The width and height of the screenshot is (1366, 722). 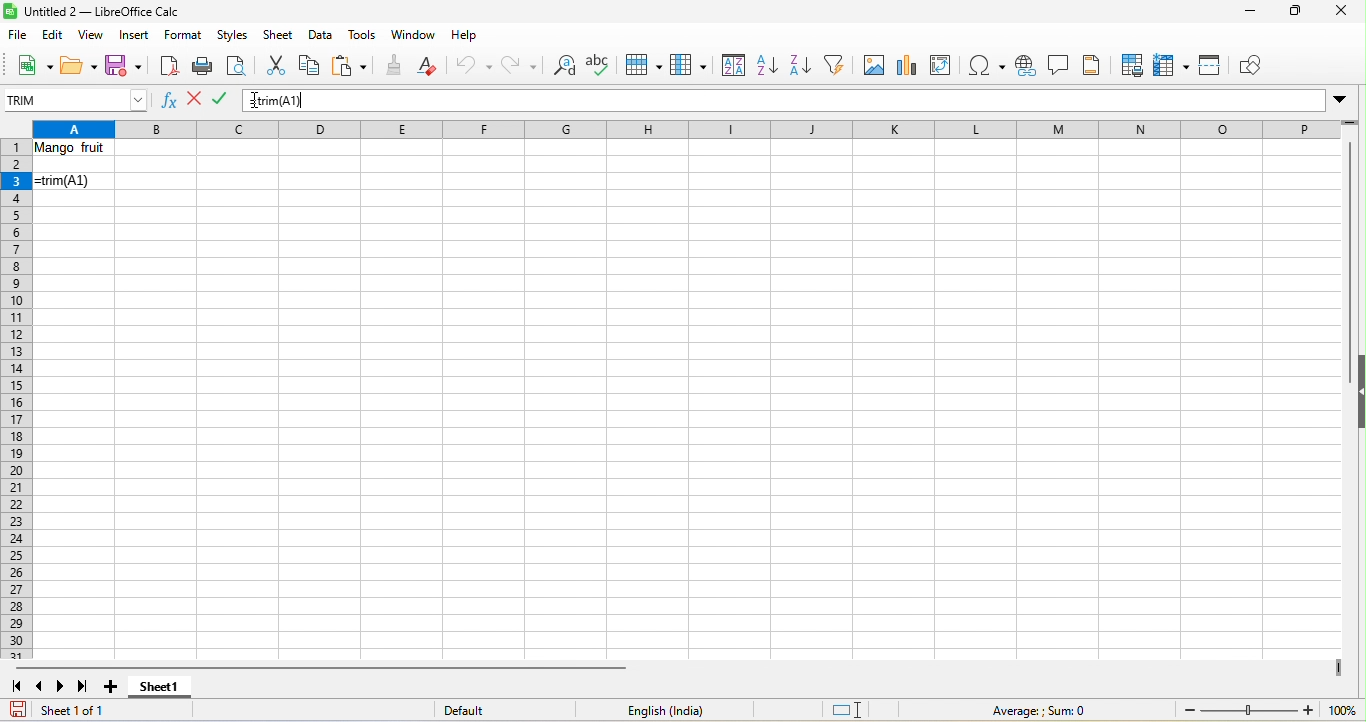 I want to click on undo, so click(x=470, y=69).